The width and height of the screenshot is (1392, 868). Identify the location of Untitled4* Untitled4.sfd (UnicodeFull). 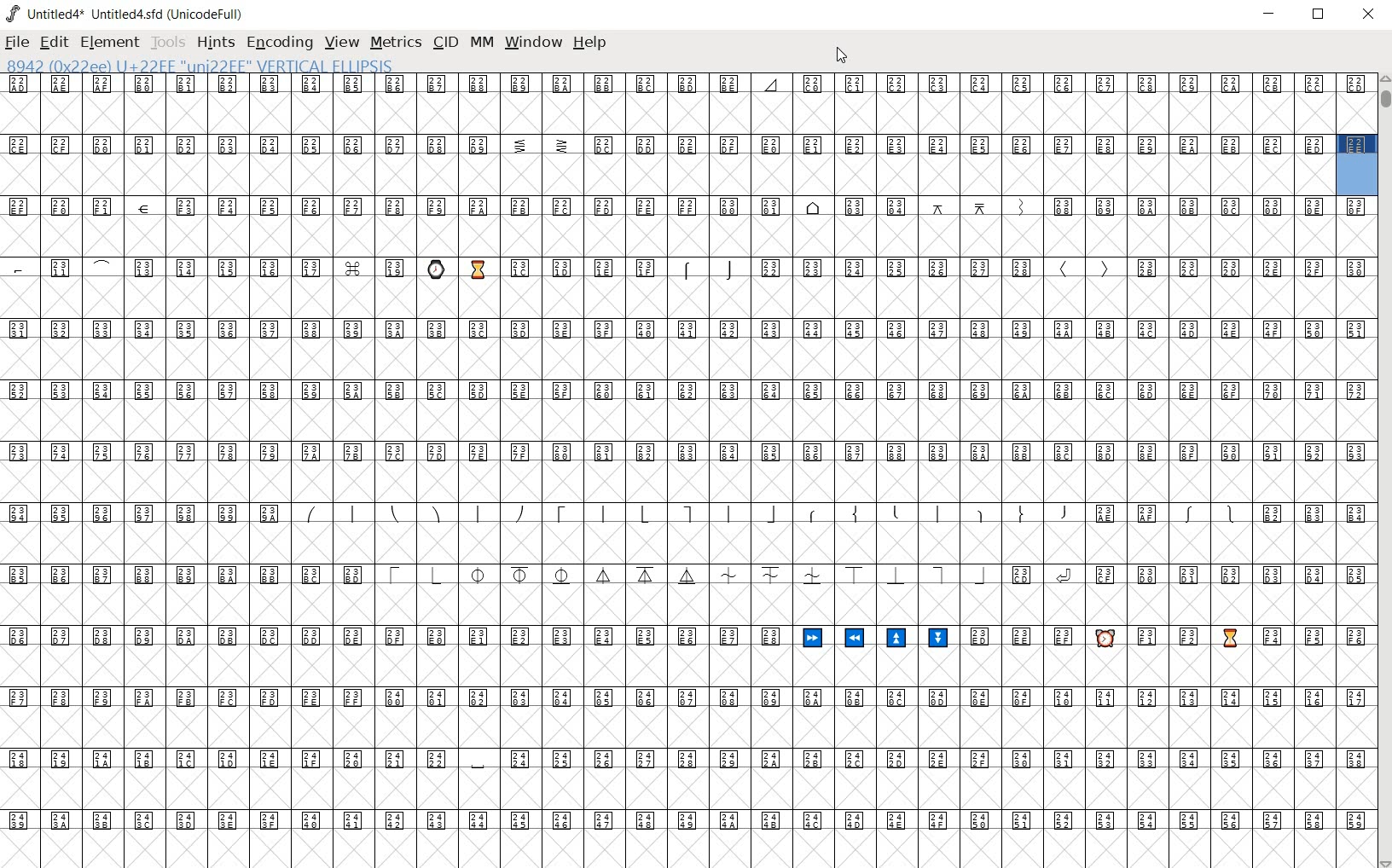
(125, 14).